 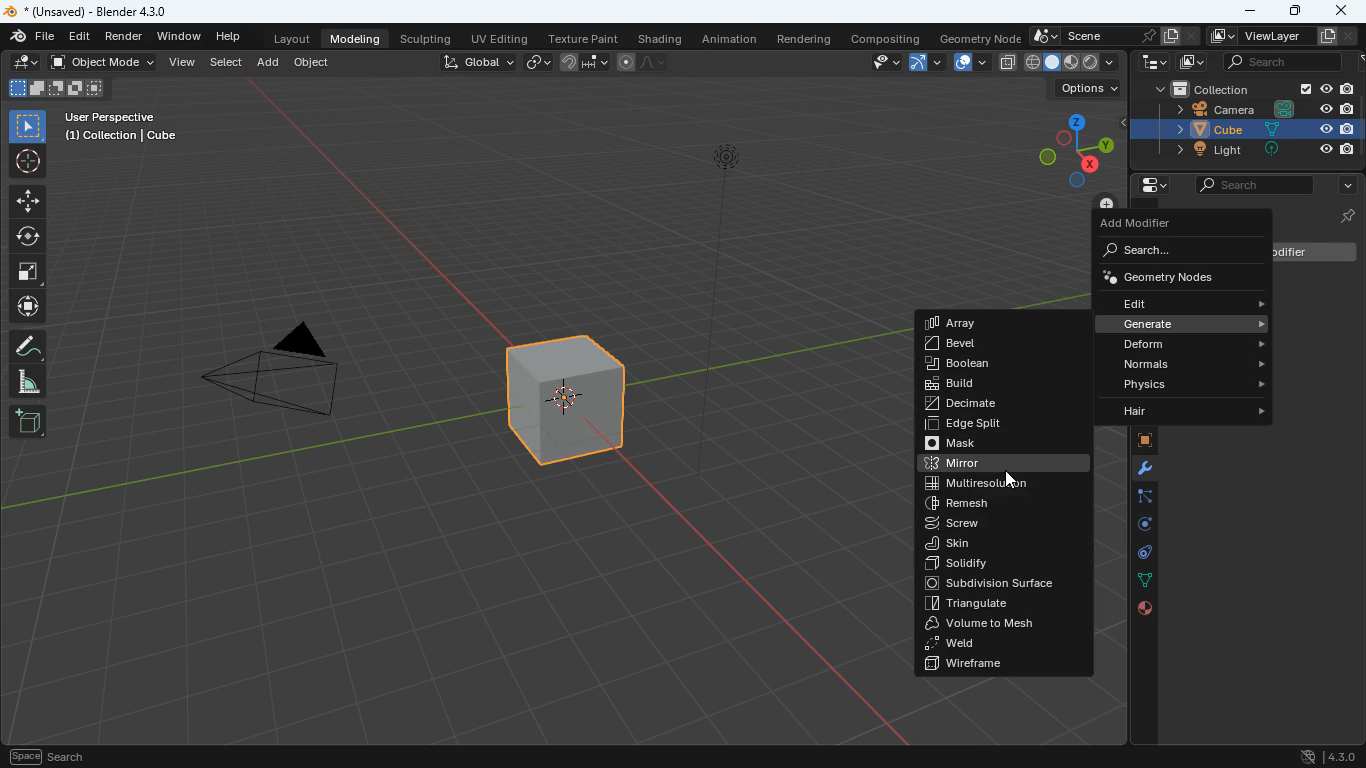 What do you see at coordinates (498, 37) in the screenshot?
I see `uv editing` at bounding box center [498, 37].